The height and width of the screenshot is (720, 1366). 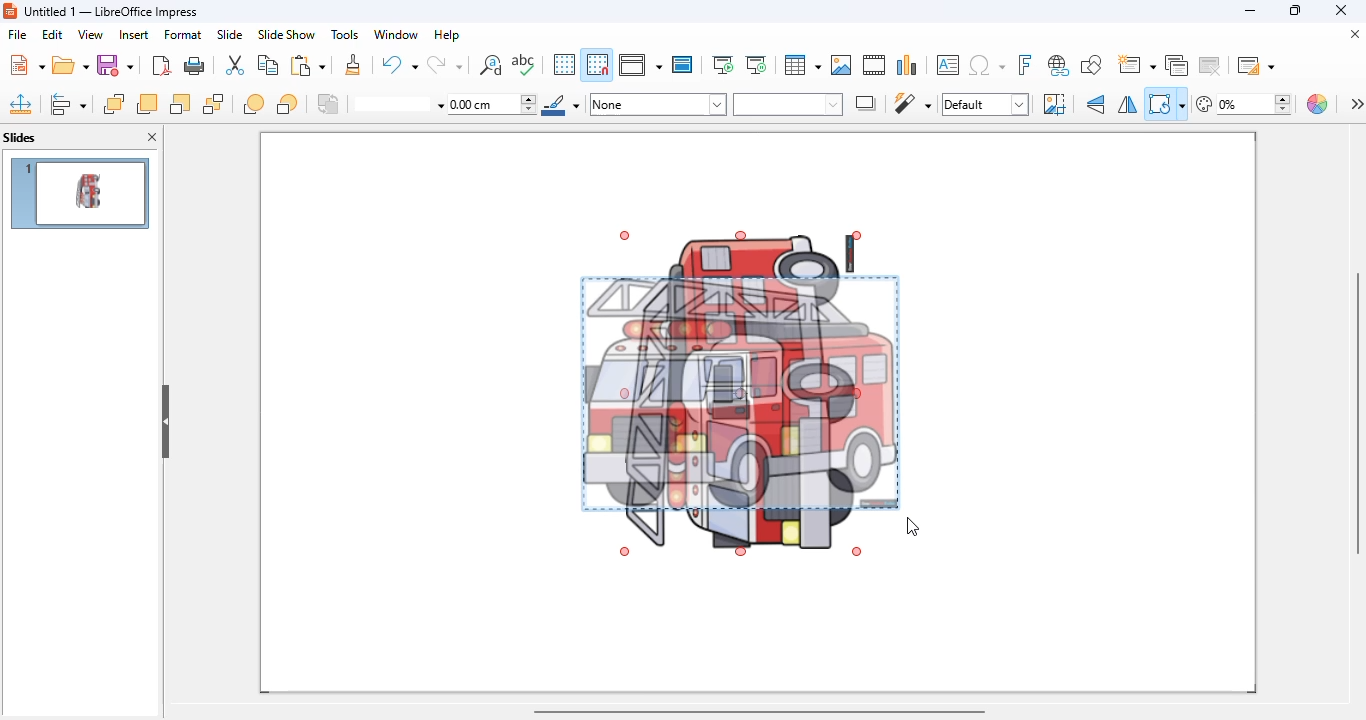 I want to click on in front of objects, so click(x=254, y=104).